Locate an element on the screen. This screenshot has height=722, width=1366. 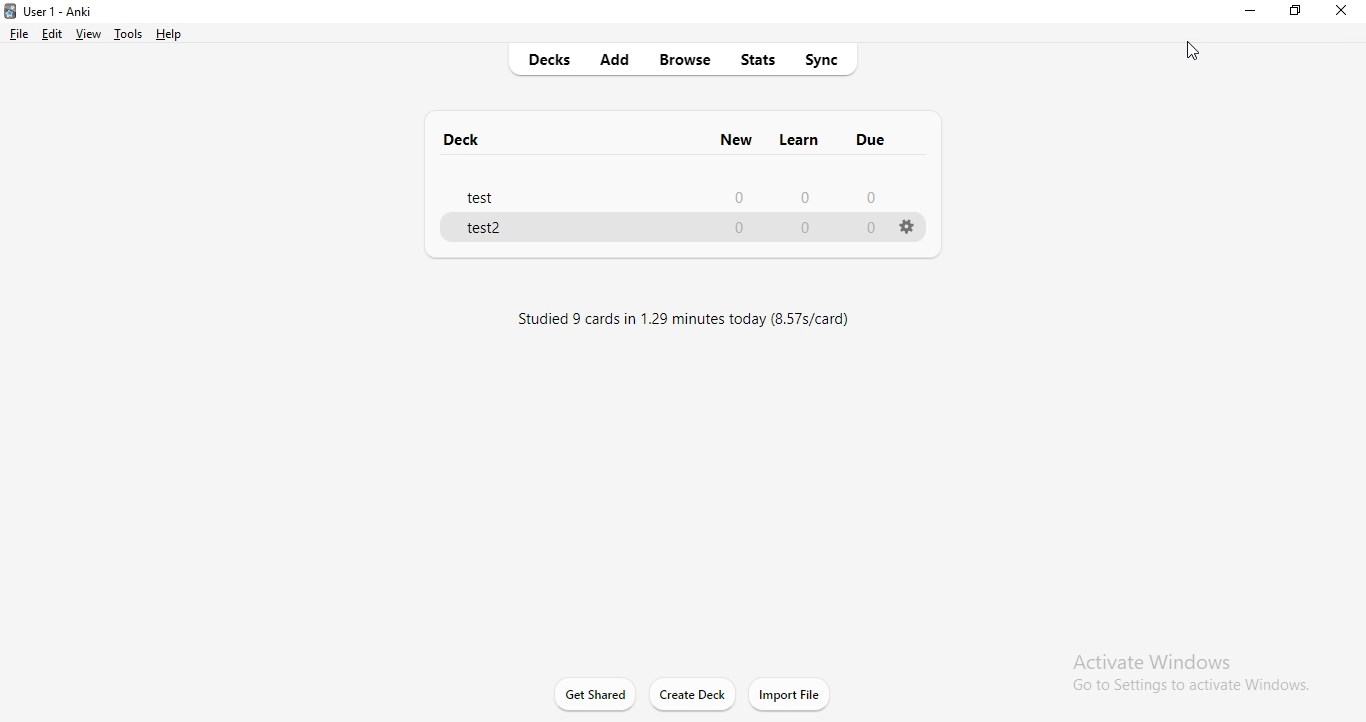
0 is located at coordinates (800, 199).